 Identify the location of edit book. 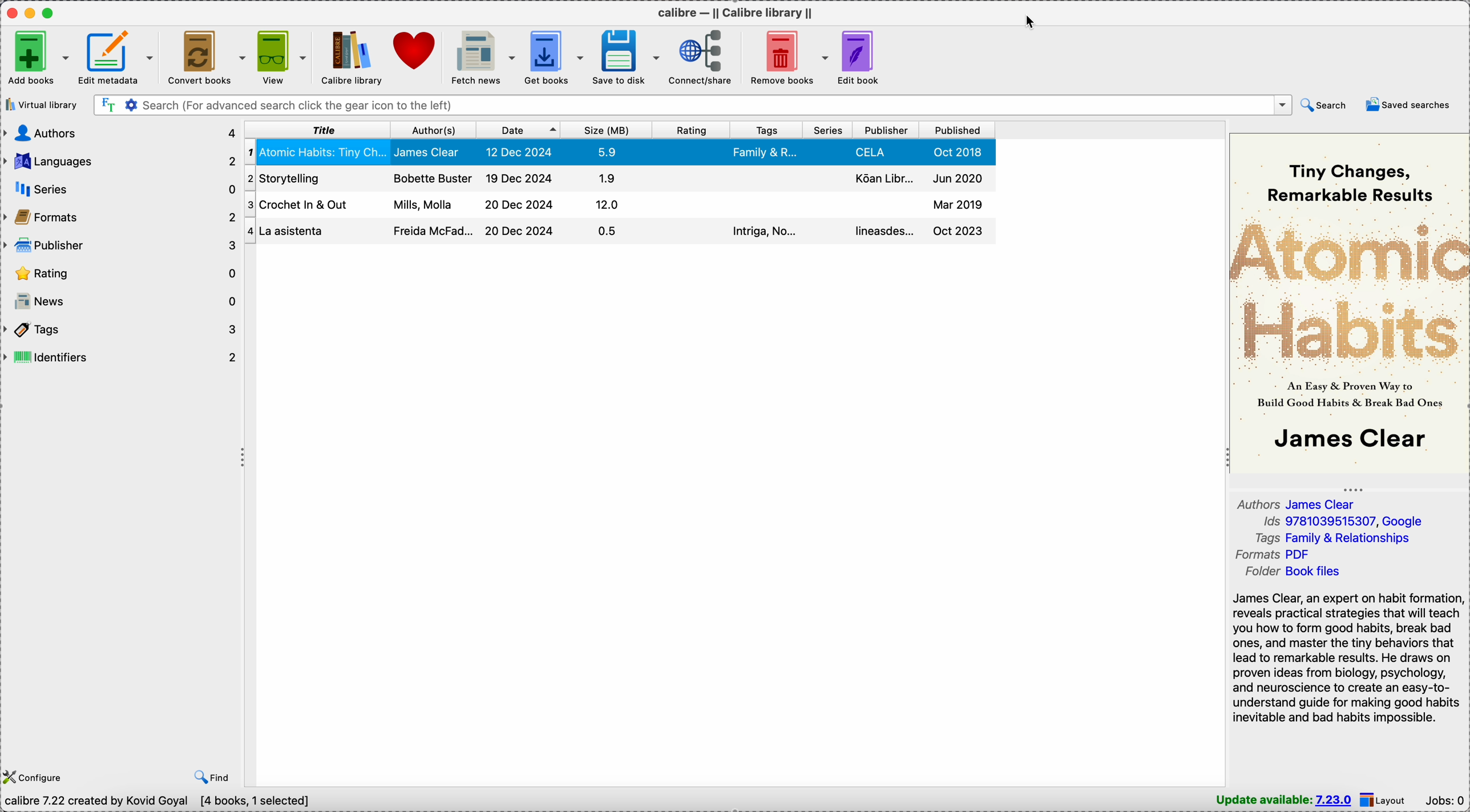
(860, 58).